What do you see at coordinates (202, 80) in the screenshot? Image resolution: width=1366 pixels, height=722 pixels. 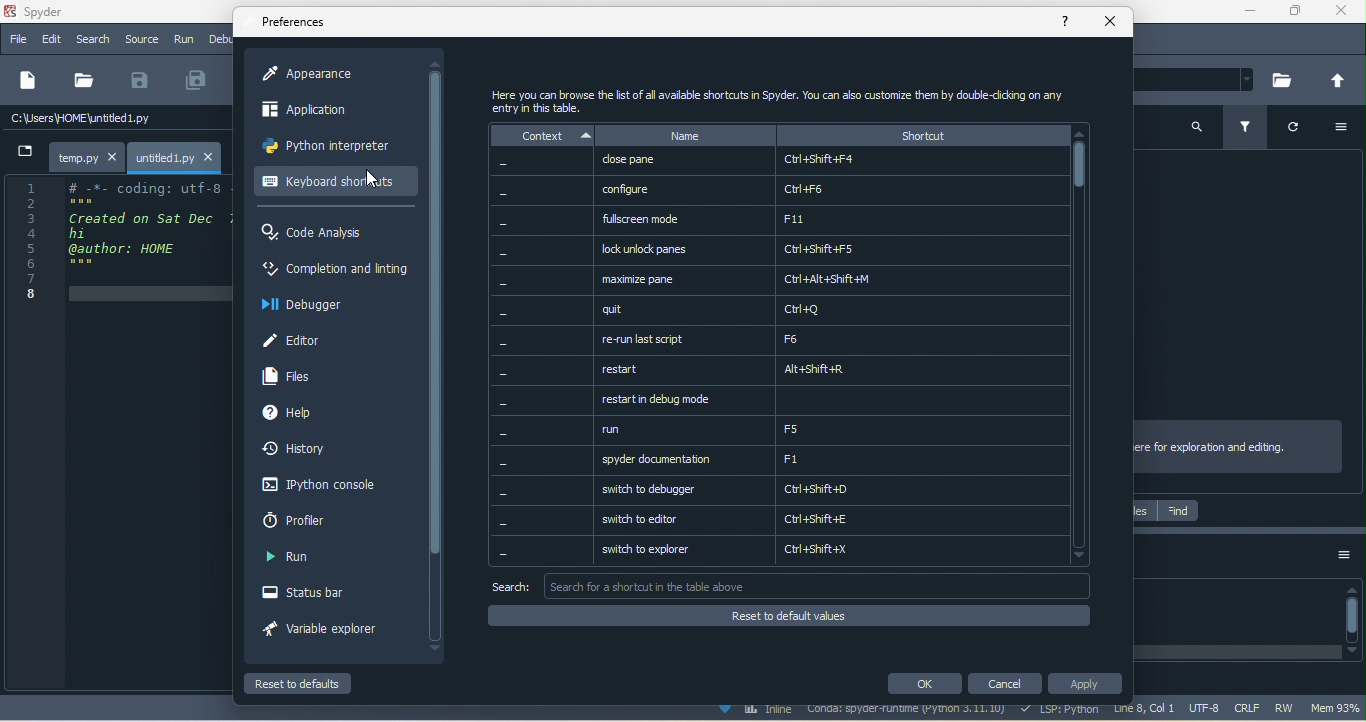 I see `save all` at bounding box center [202, 80].